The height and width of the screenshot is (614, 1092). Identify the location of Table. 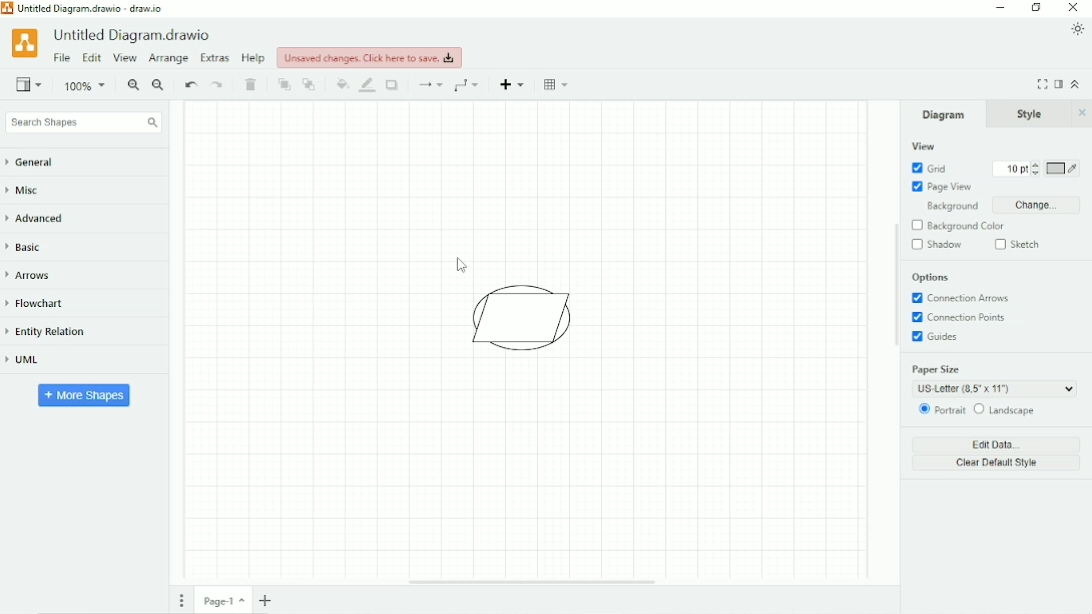
(558, 84).